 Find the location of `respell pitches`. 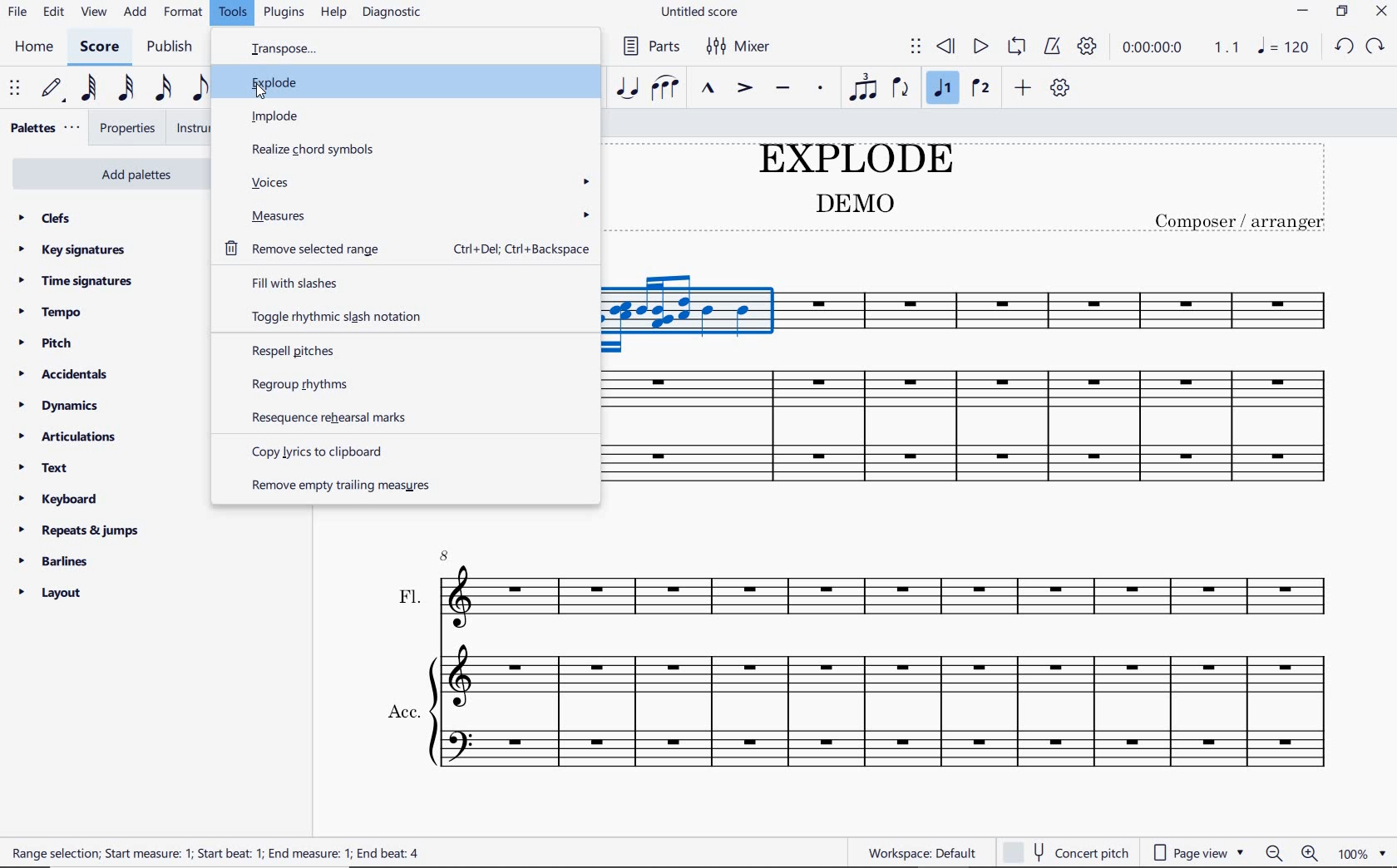

respell pitches is located at coordinates (401, 350).